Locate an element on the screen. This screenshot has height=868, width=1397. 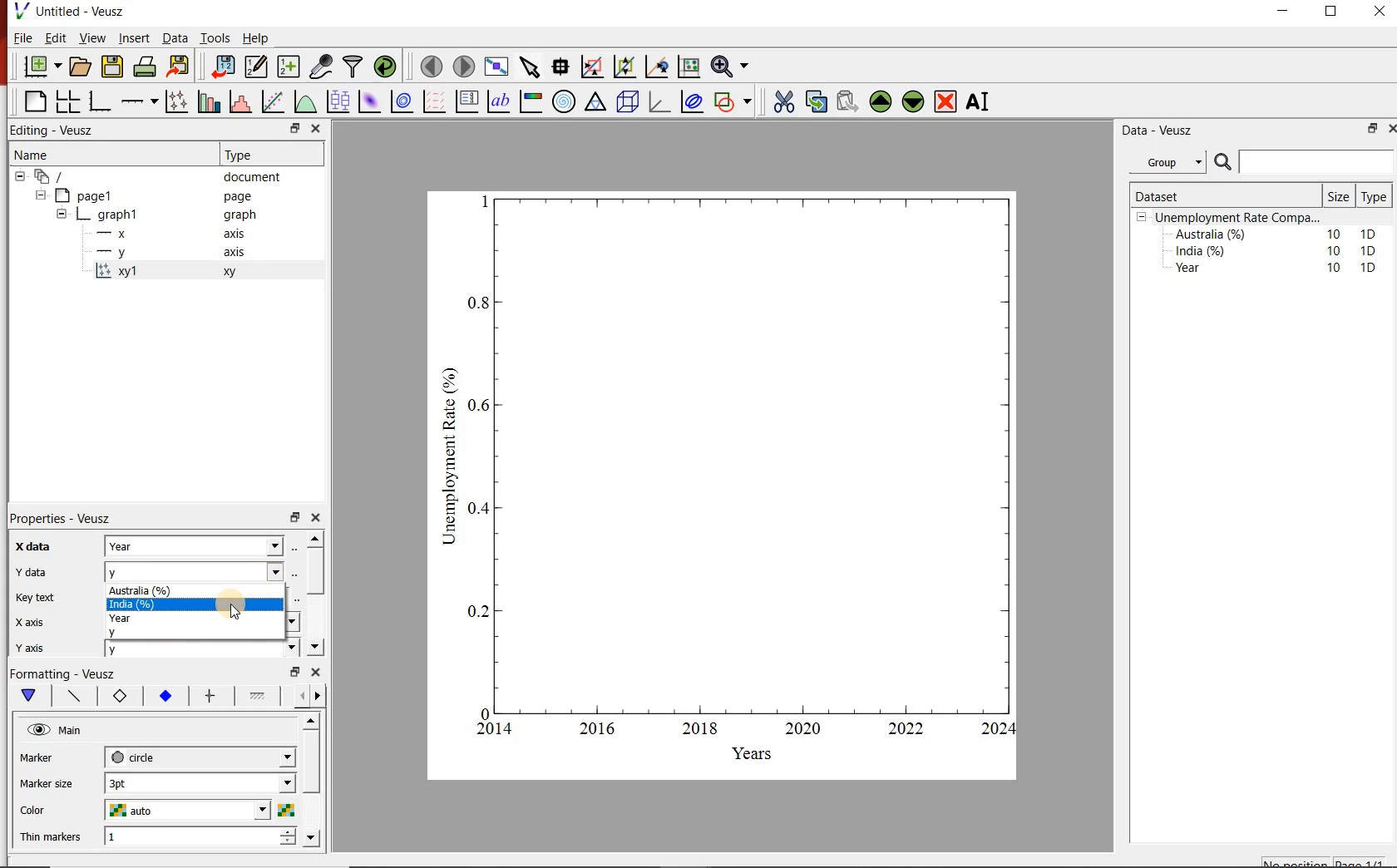
copy the widgets is located at coordinates (815, 101).